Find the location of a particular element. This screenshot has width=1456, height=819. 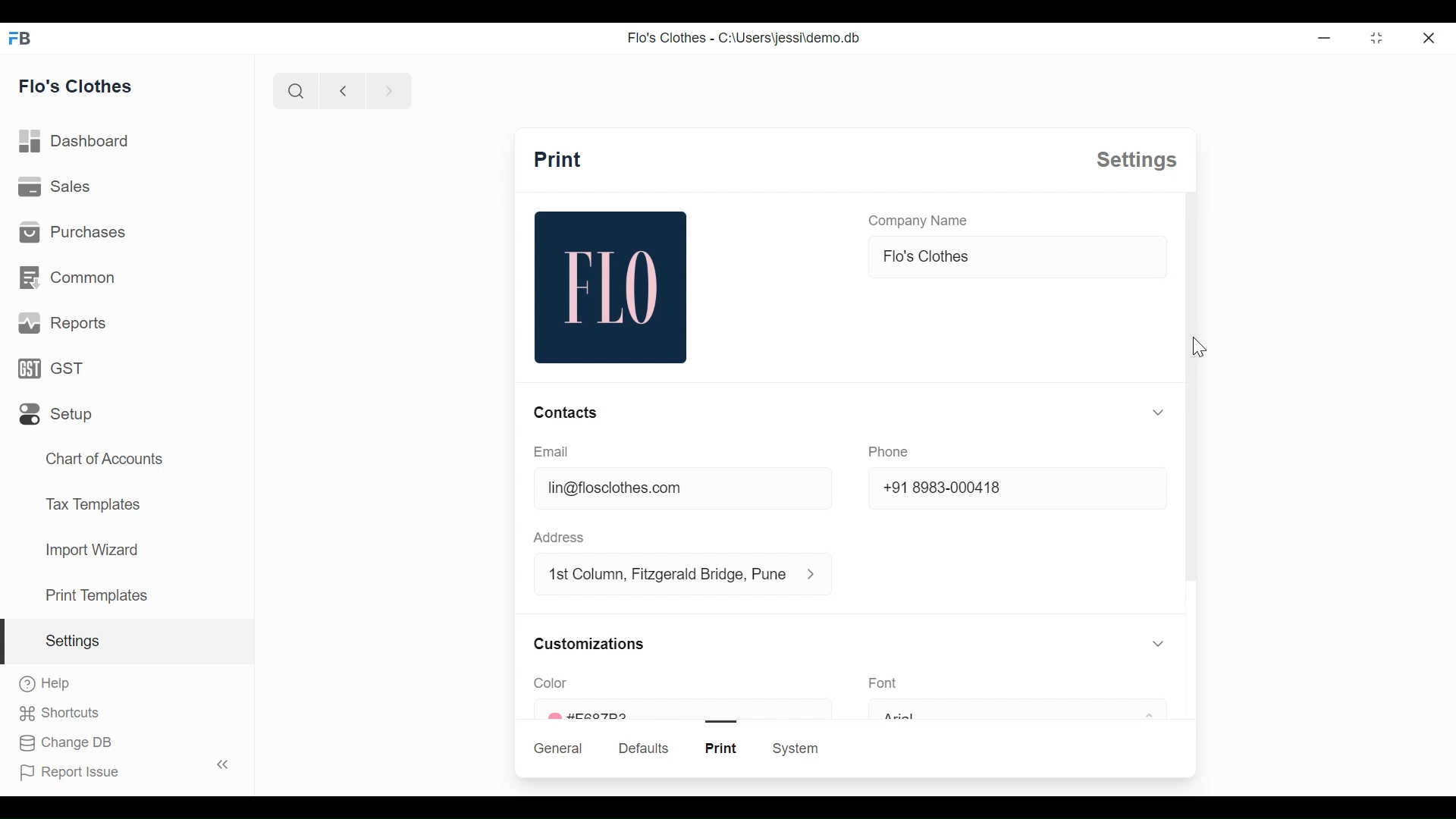

Minimize is located at coordinates (1322, 37).